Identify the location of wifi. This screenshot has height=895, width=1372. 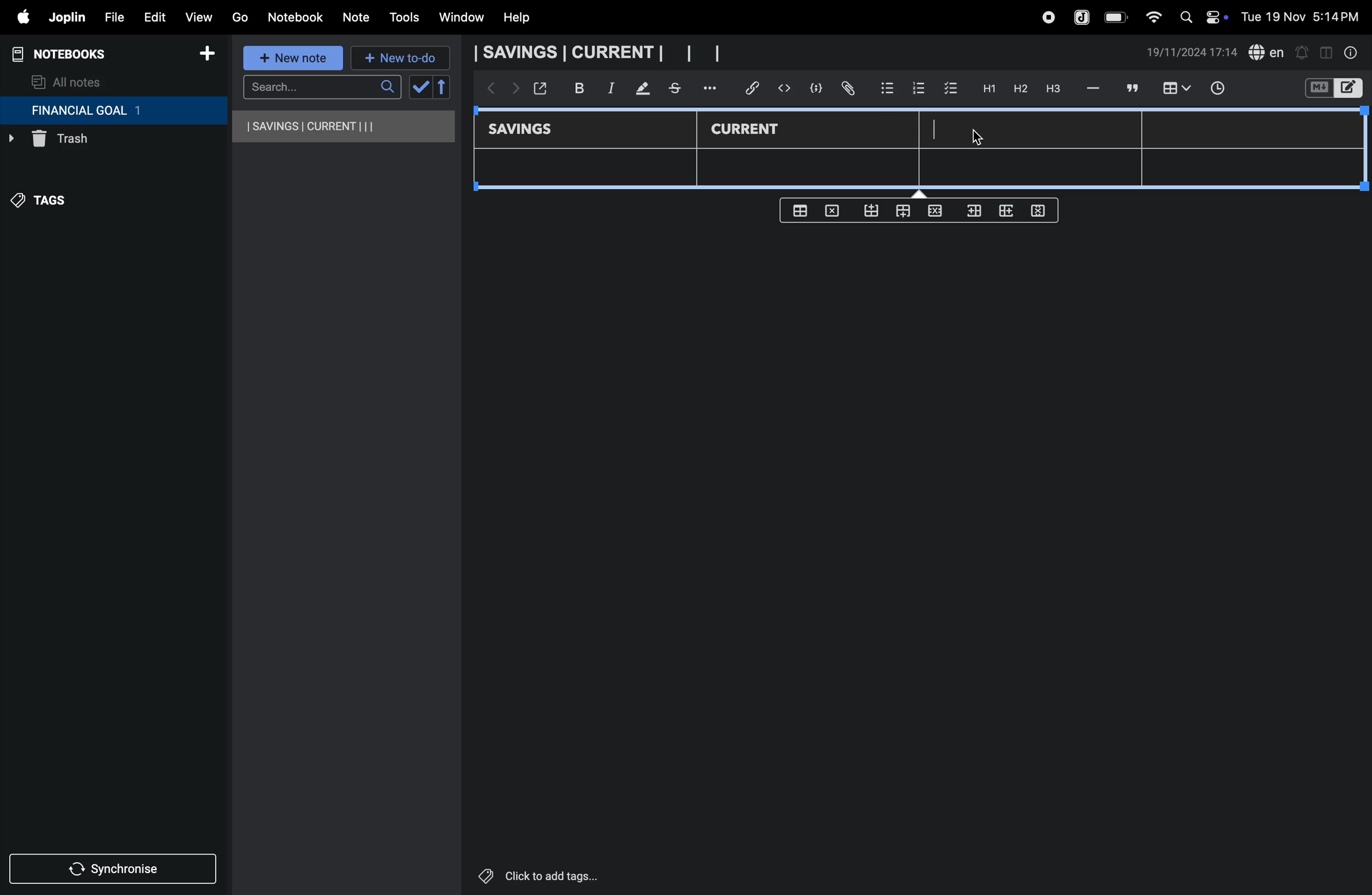
(1150, 17).